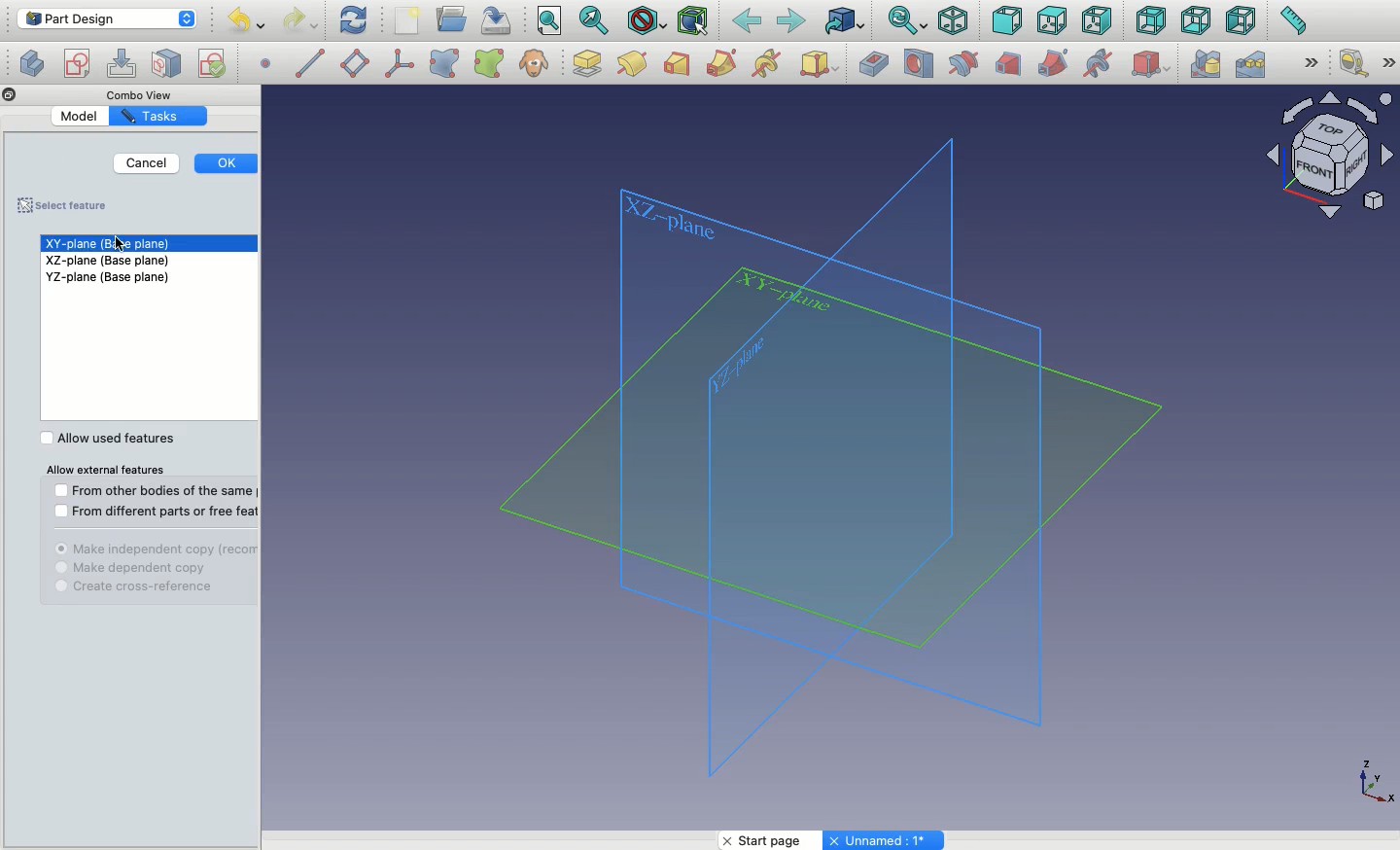 This screenshot has height=850, width=1400. What do you see at coordinates (646, 21) in the screenshot?
I see `Draw style` at bounding box center [646, 21].